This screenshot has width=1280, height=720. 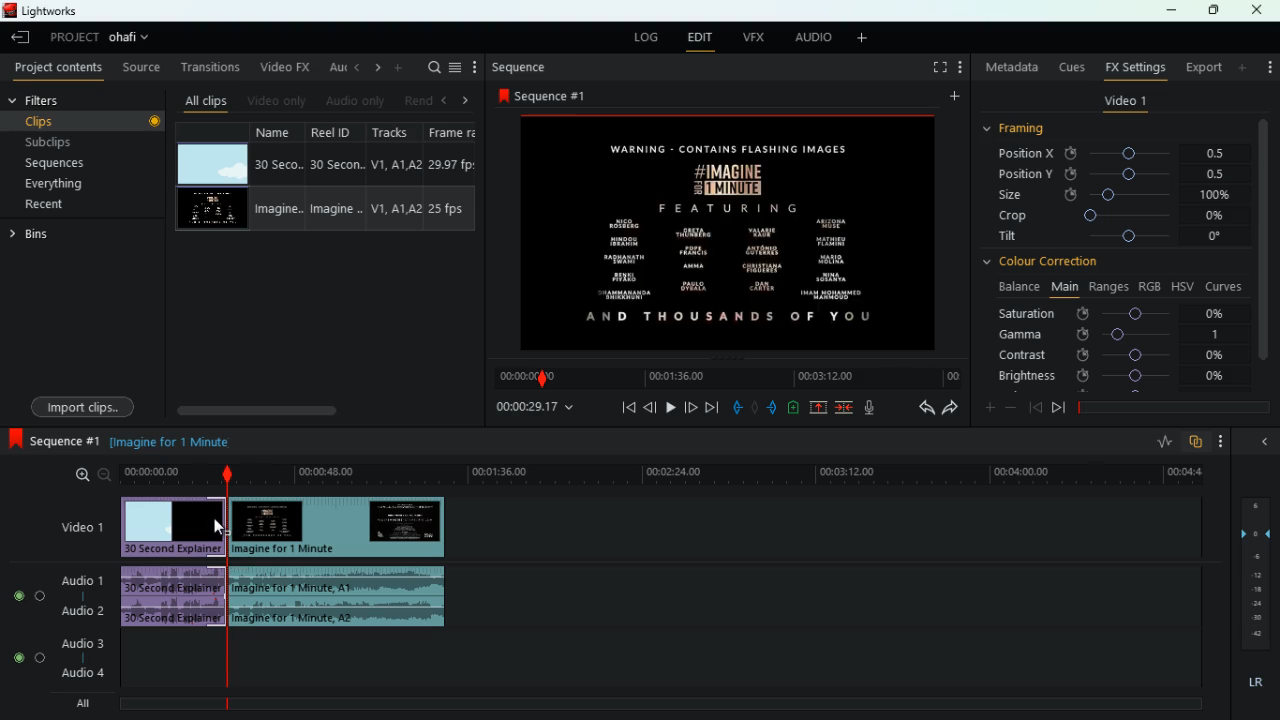 I want to click on back, so click(x=355, y=67).